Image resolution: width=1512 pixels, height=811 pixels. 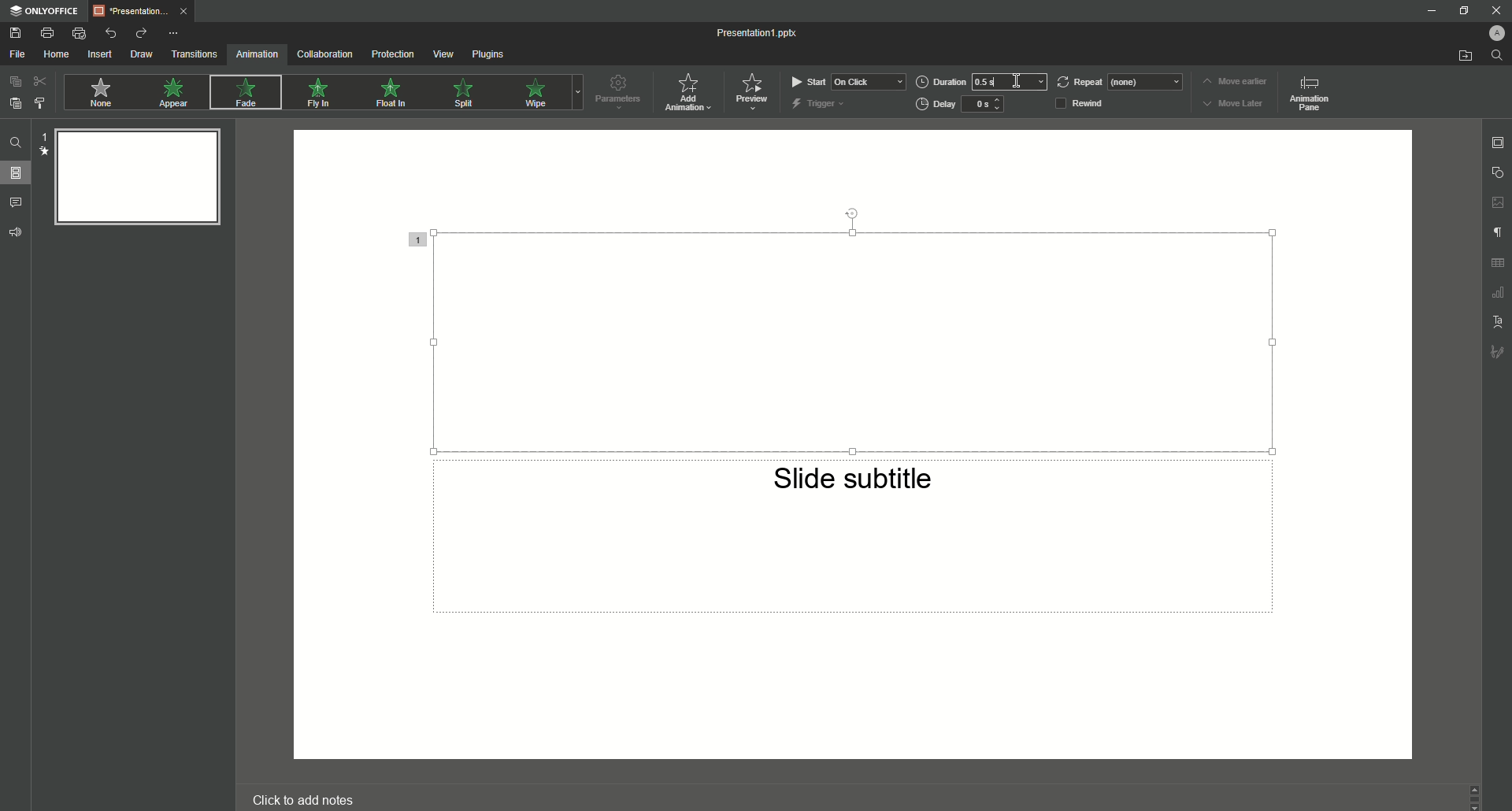 What do you see at coordinates (1462, 11) in the screenshot?
I see `Minimize` at bounding box center [1462, 11].